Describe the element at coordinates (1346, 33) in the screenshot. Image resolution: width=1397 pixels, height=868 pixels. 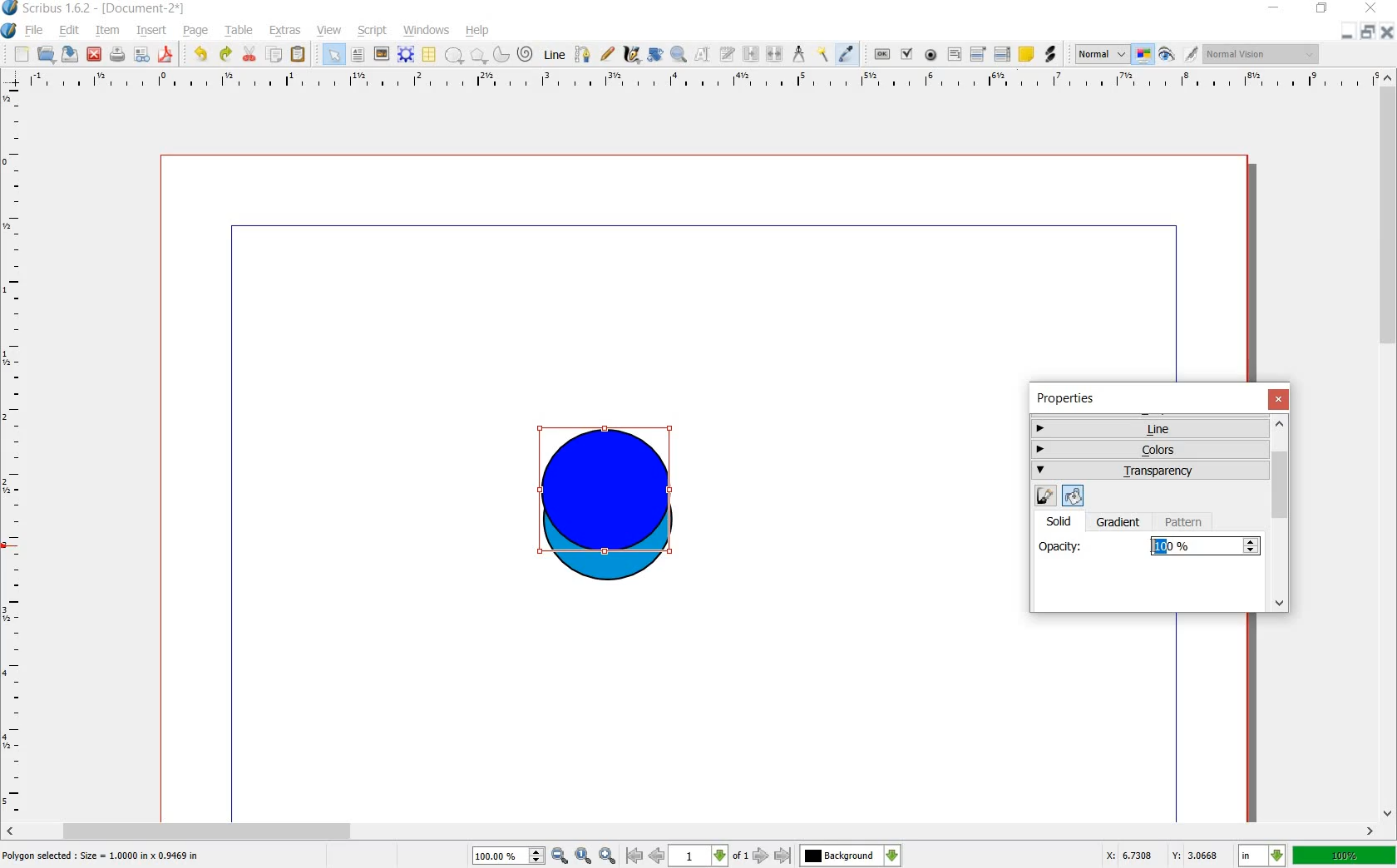
I see `minimize` at that location.